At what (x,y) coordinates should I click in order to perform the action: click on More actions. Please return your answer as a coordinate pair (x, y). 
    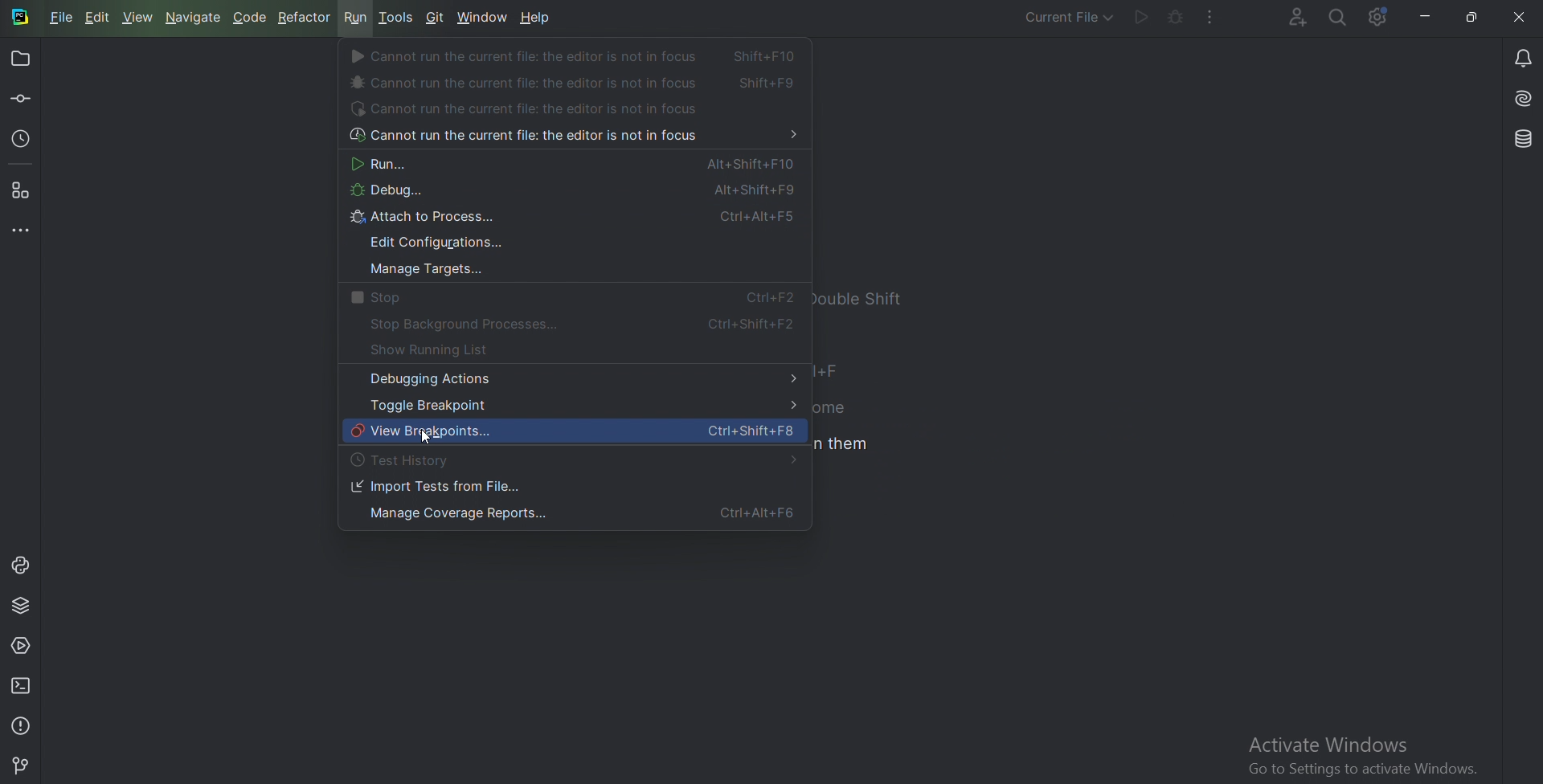
    Looking at the image, I should click on (1212, 18).